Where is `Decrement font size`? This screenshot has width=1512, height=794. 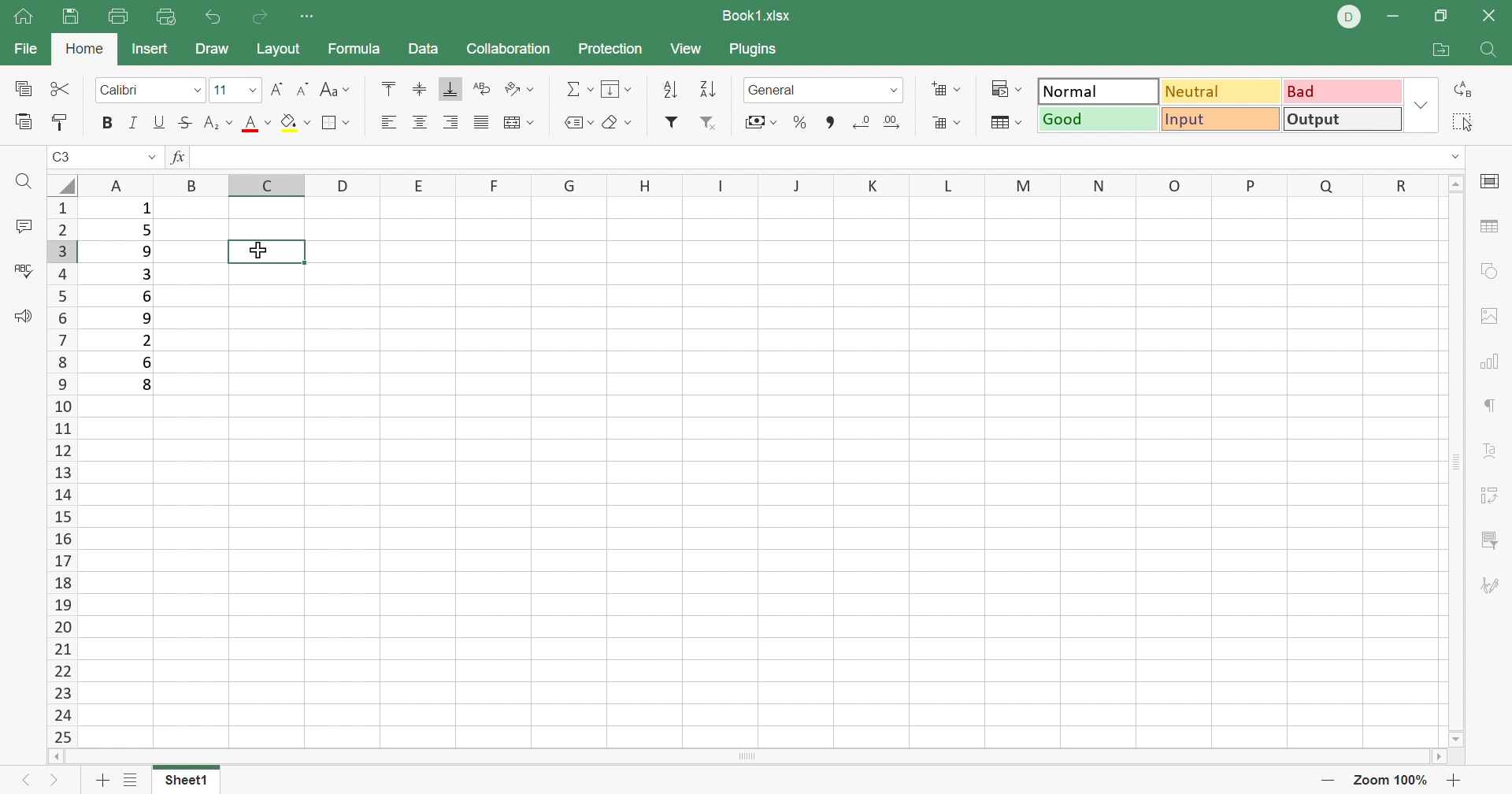
Decrement font size is located at coordinates (301, 91).